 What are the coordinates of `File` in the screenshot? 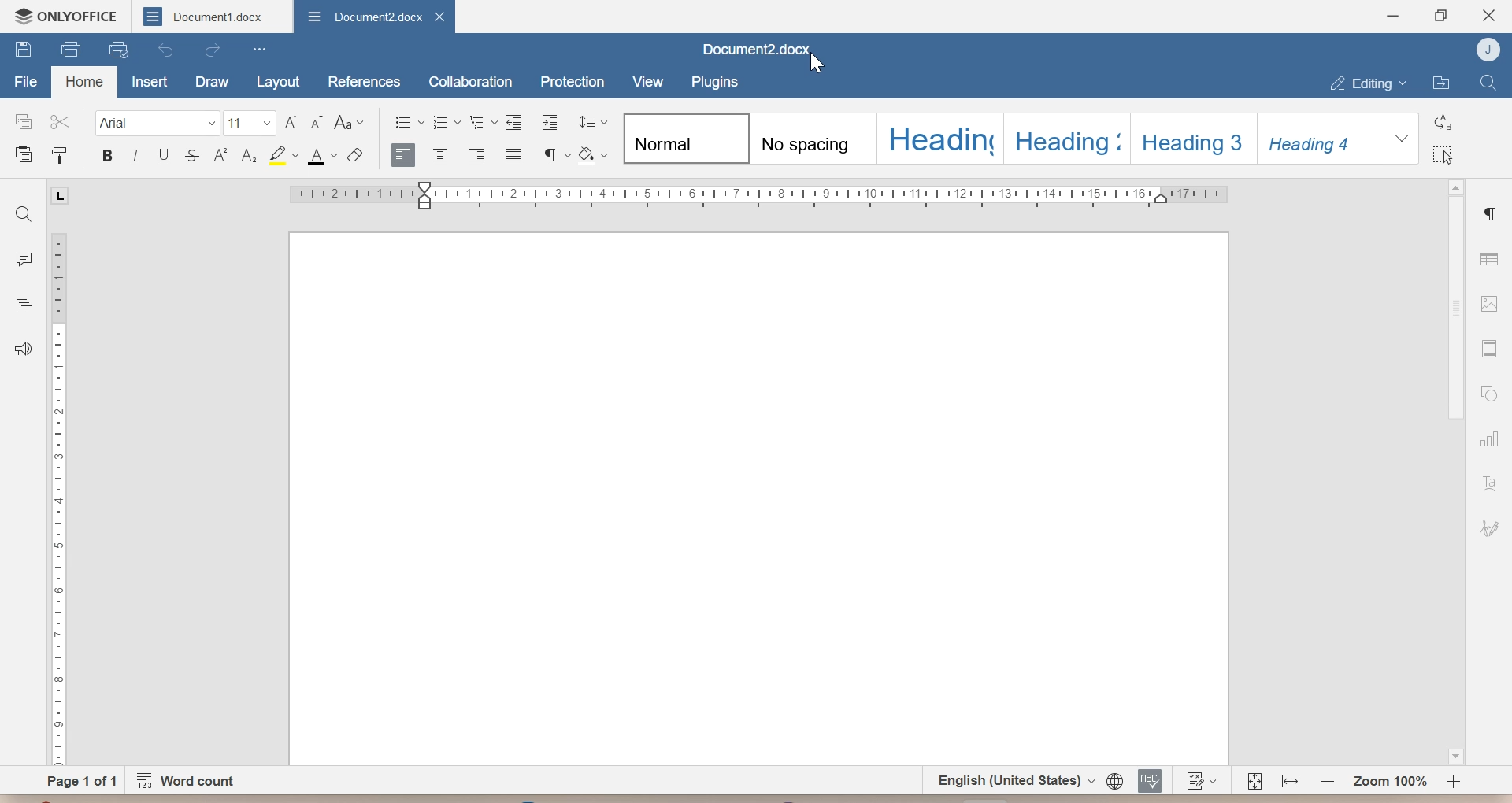 It's located at (28, 78).